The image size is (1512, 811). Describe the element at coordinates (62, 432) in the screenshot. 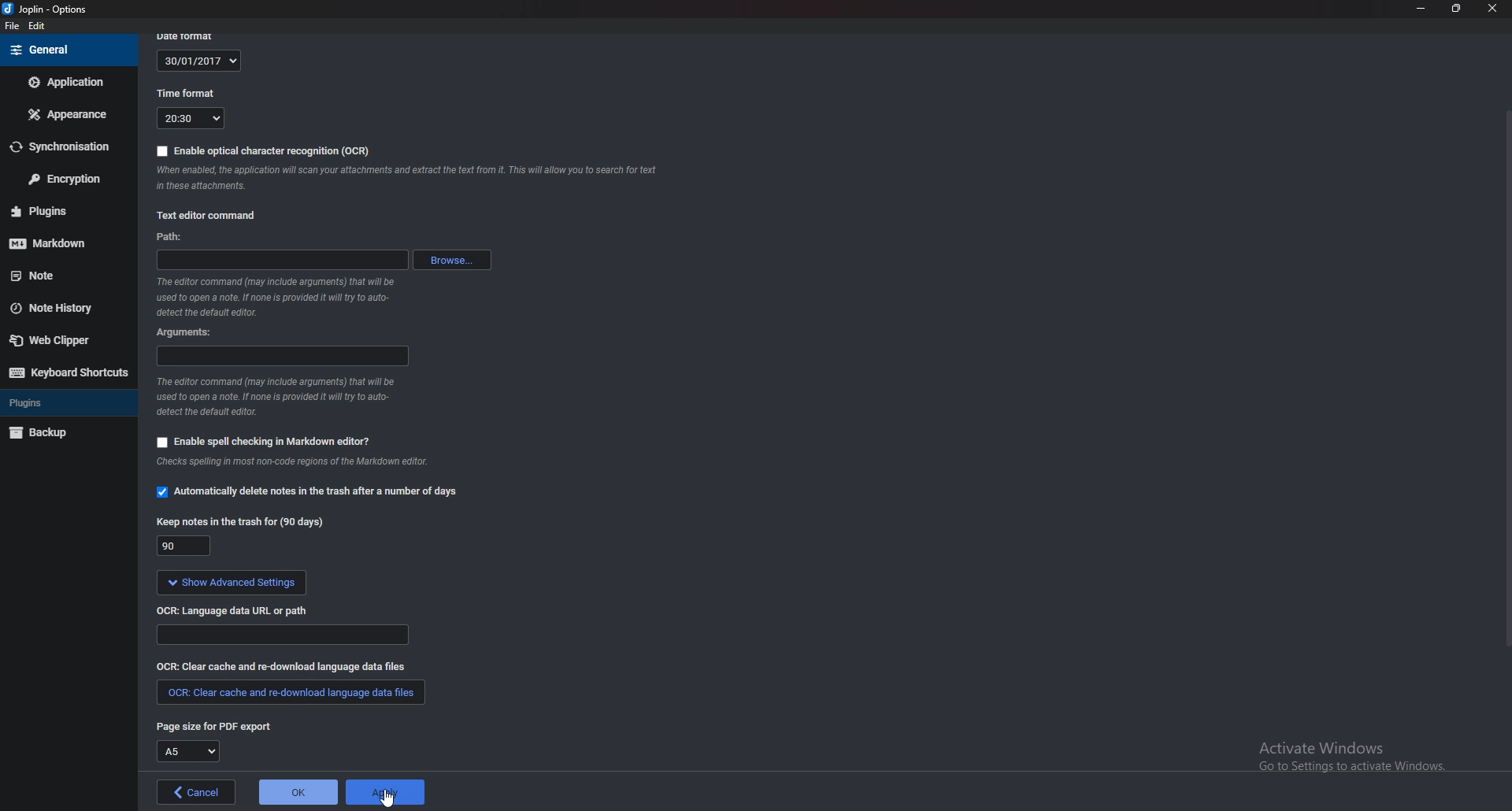

I see `Back up` at that location.